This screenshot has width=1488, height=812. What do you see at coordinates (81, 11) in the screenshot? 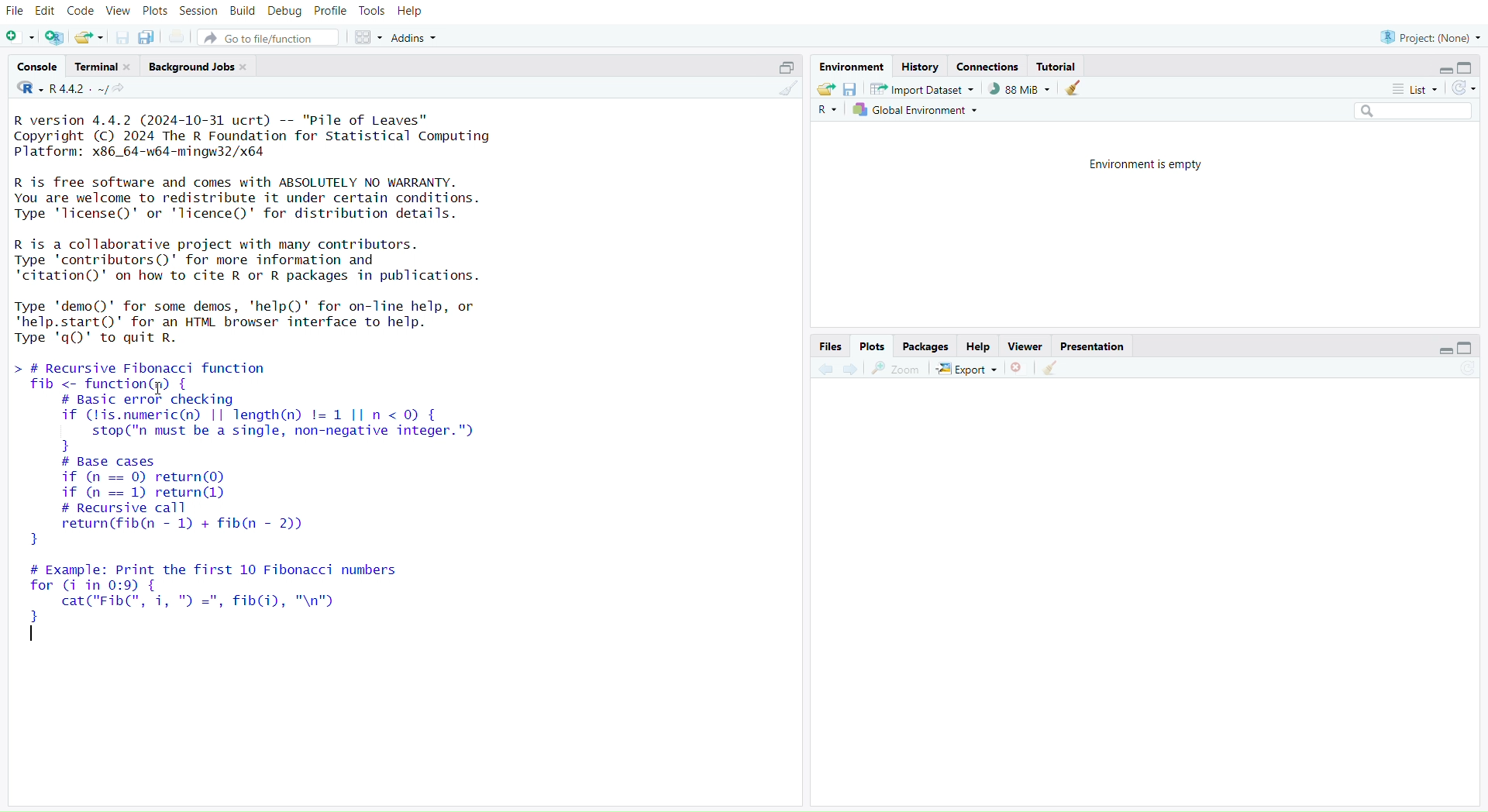
I see `code` at bounding box center [81, 11].